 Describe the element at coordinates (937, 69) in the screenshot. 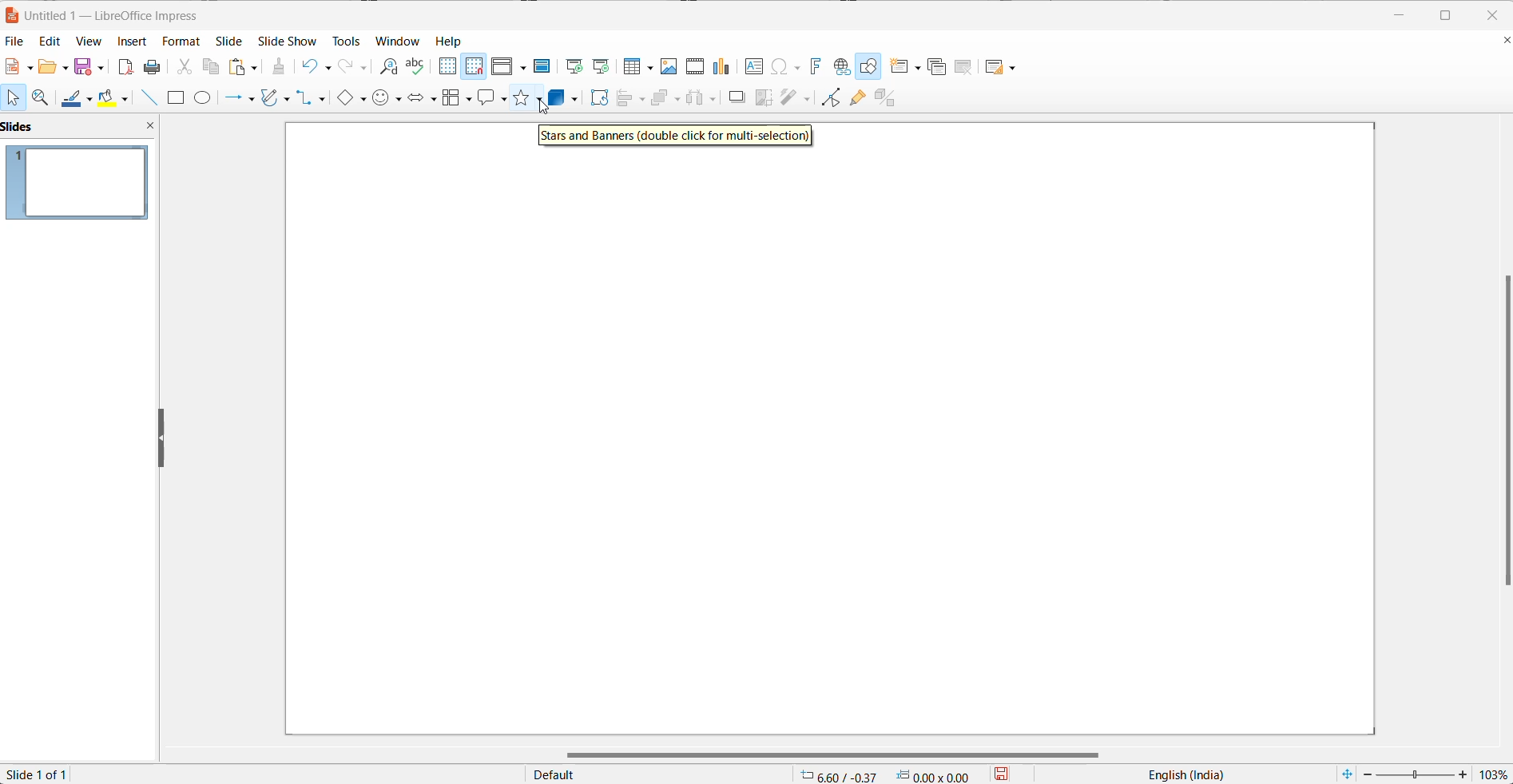

I see `DUPLICATE SLIDE` at that location.